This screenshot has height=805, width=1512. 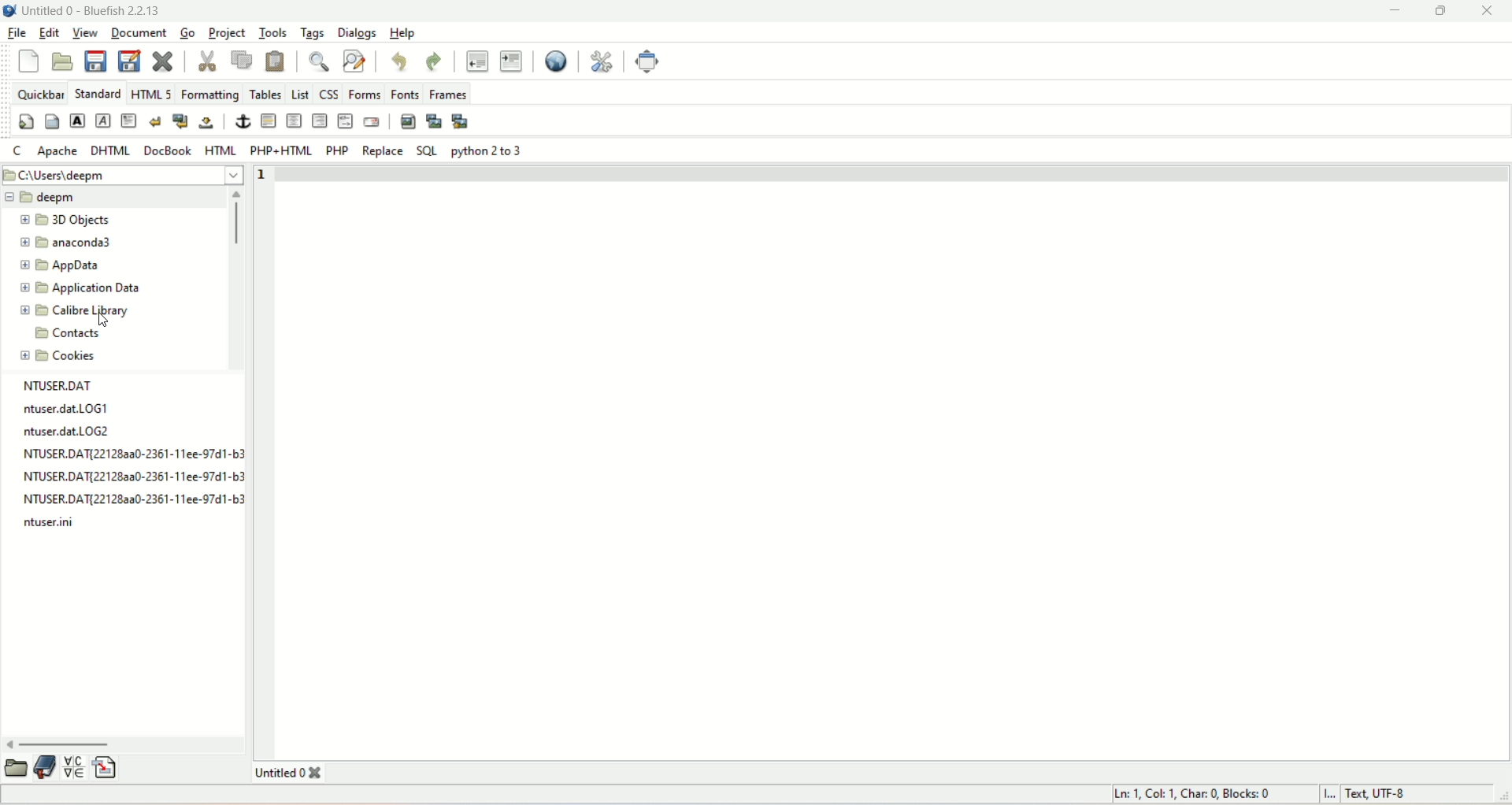 What do you see at coordinates (104, 121) in the screenshot?
I see `emphasize` at bounding box center [104, 121].